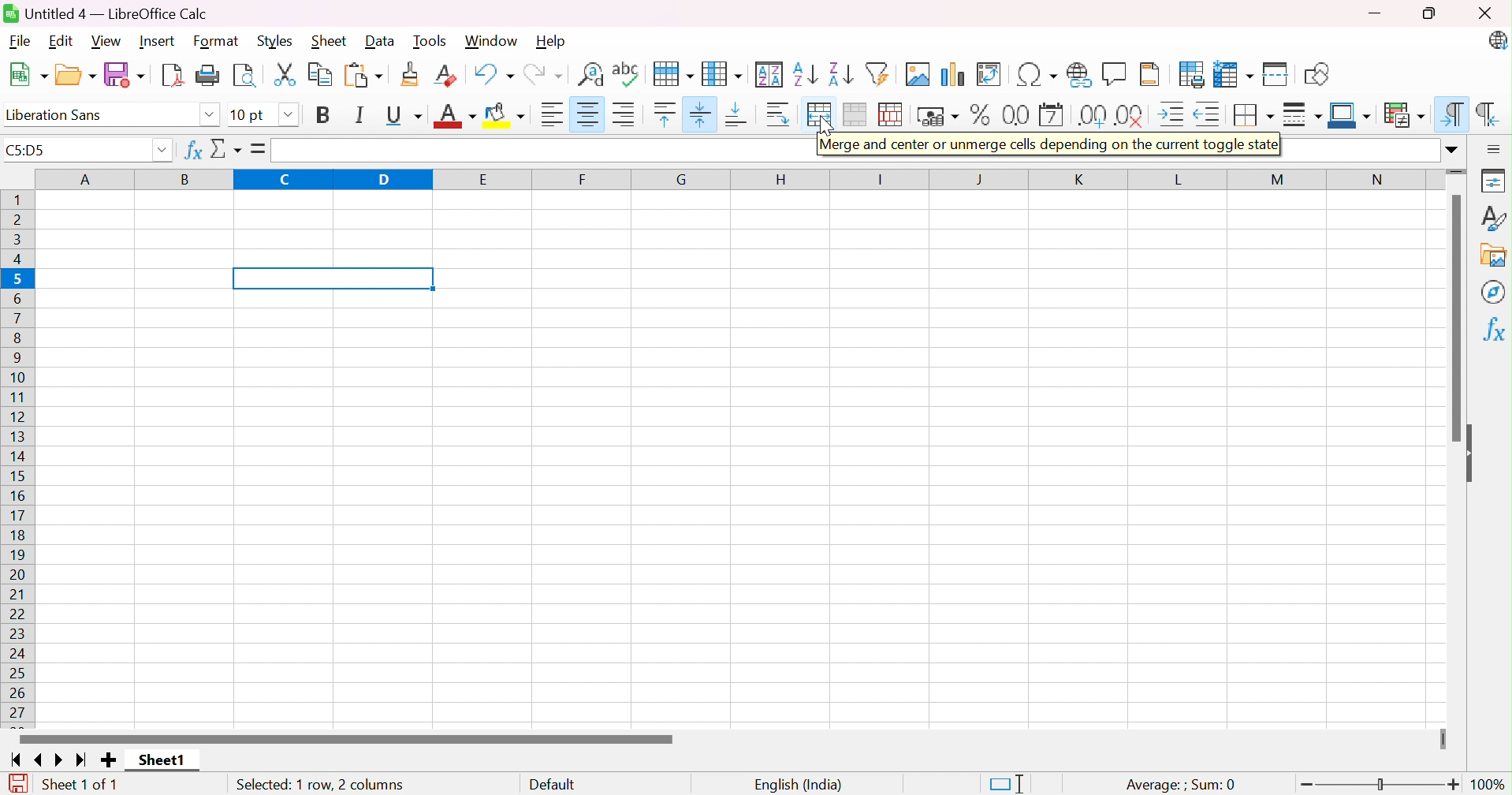 This screenshot has width=1512, height=795. What do you see at coordinates (937, 117) in the screenshot?
I see `Format as Currency` at bounding box center [937, 117].